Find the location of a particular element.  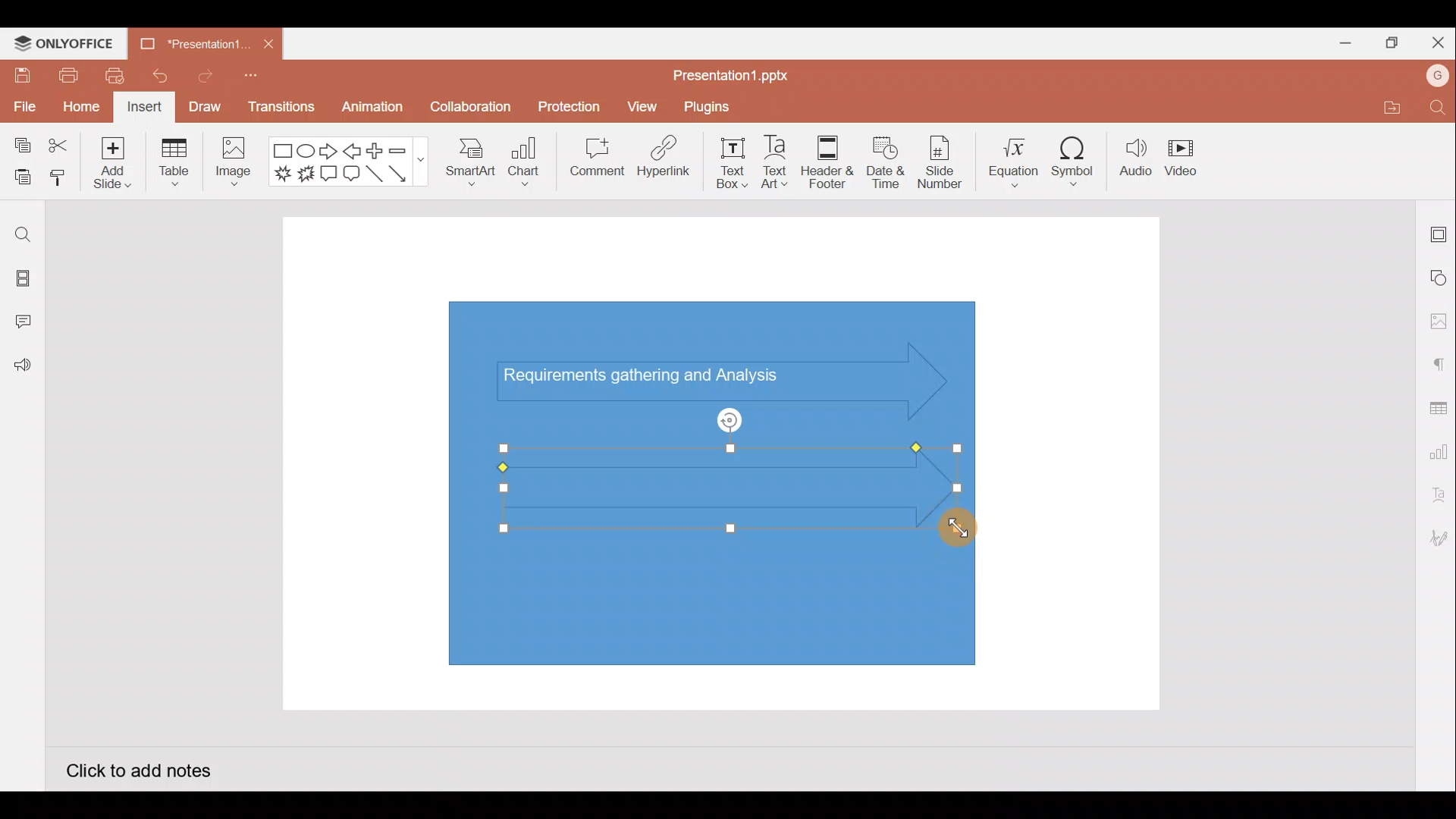

Left arrow is located at coordinates (353, 151).